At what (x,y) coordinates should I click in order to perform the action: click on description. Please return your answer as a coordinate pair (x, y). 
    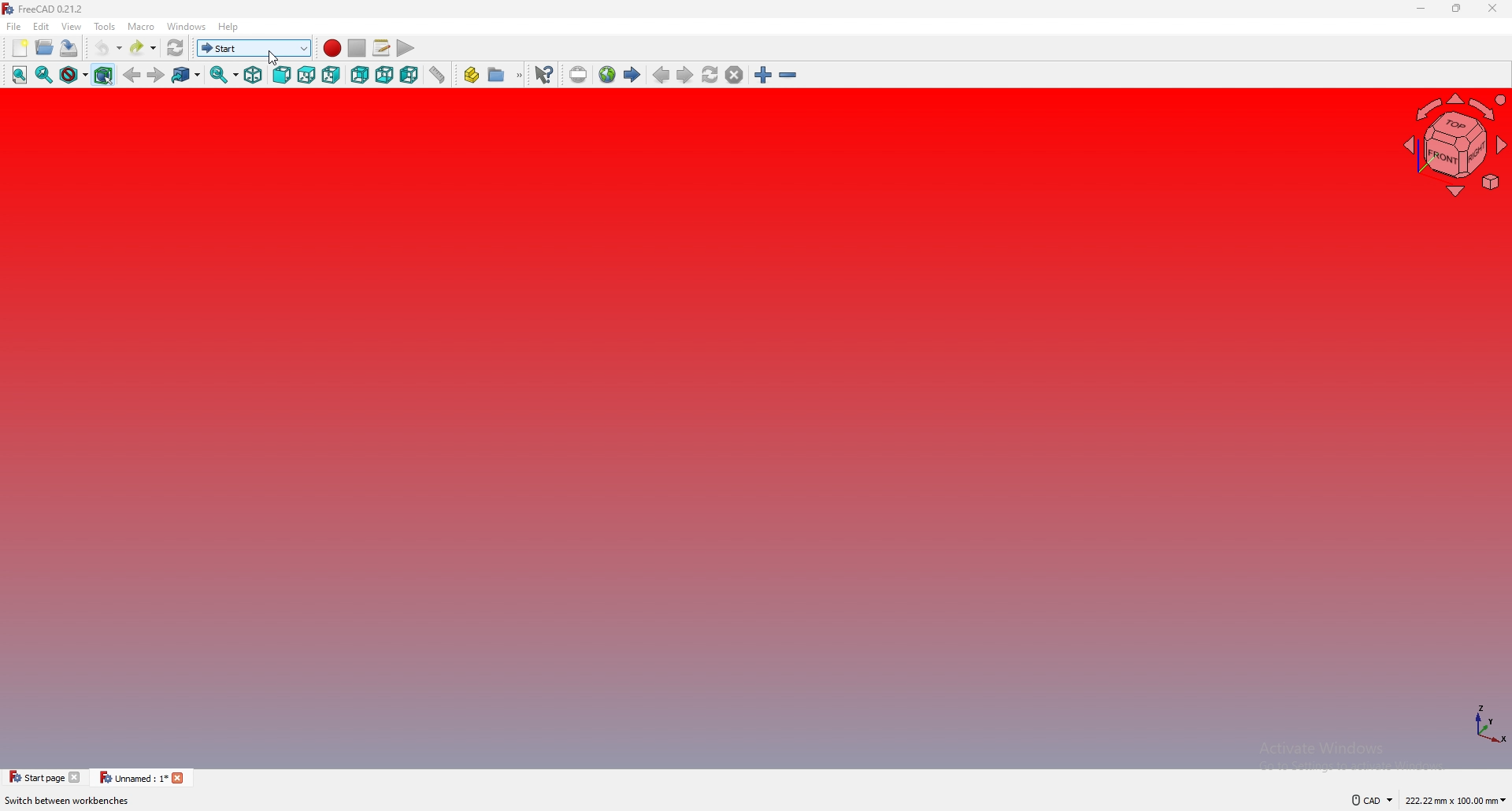
    Looking at the image, I should click on (66, 801).